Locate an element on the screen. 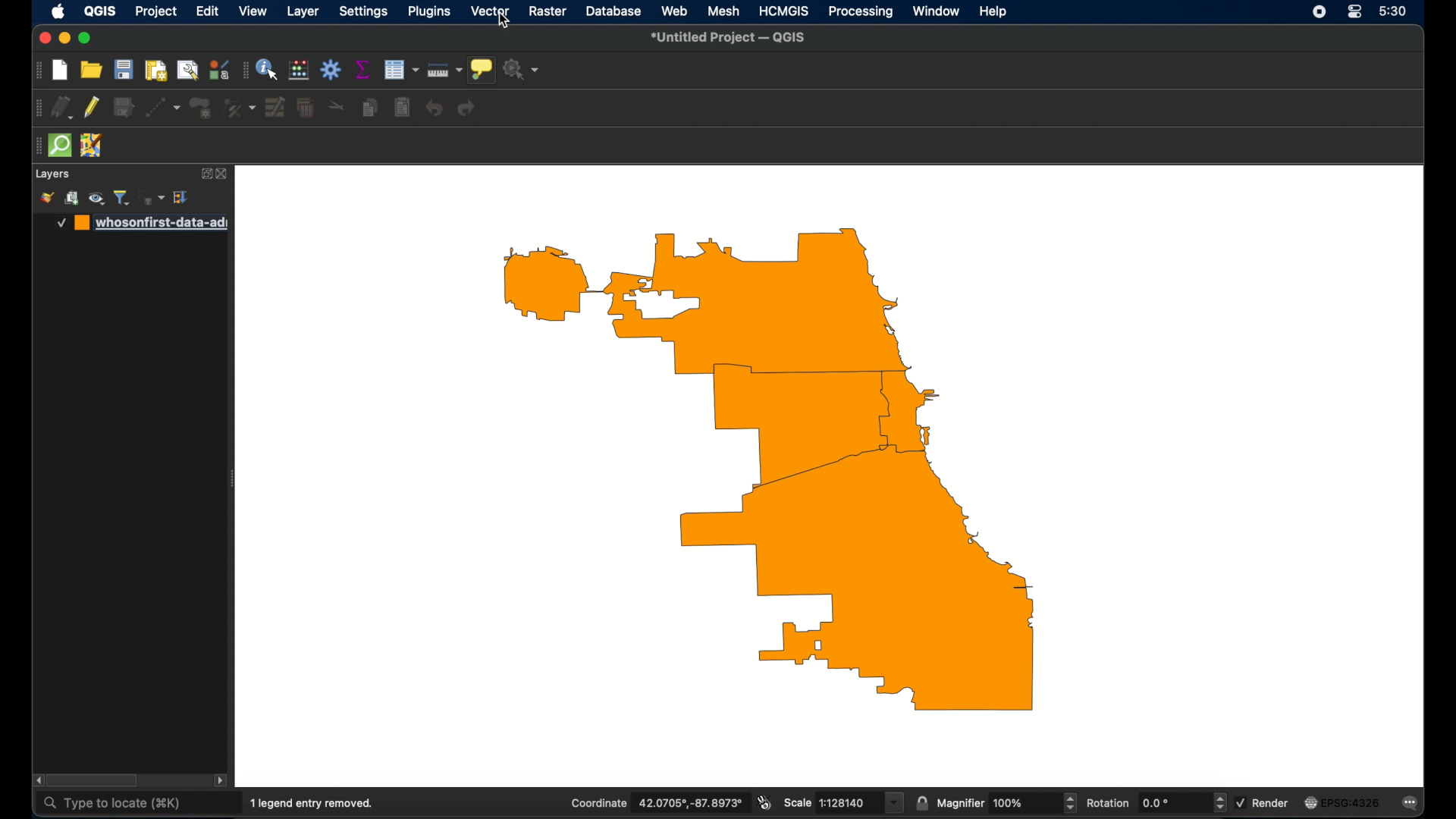 The image size is (1456, 819). style manager is located at coordinates (46, 198).